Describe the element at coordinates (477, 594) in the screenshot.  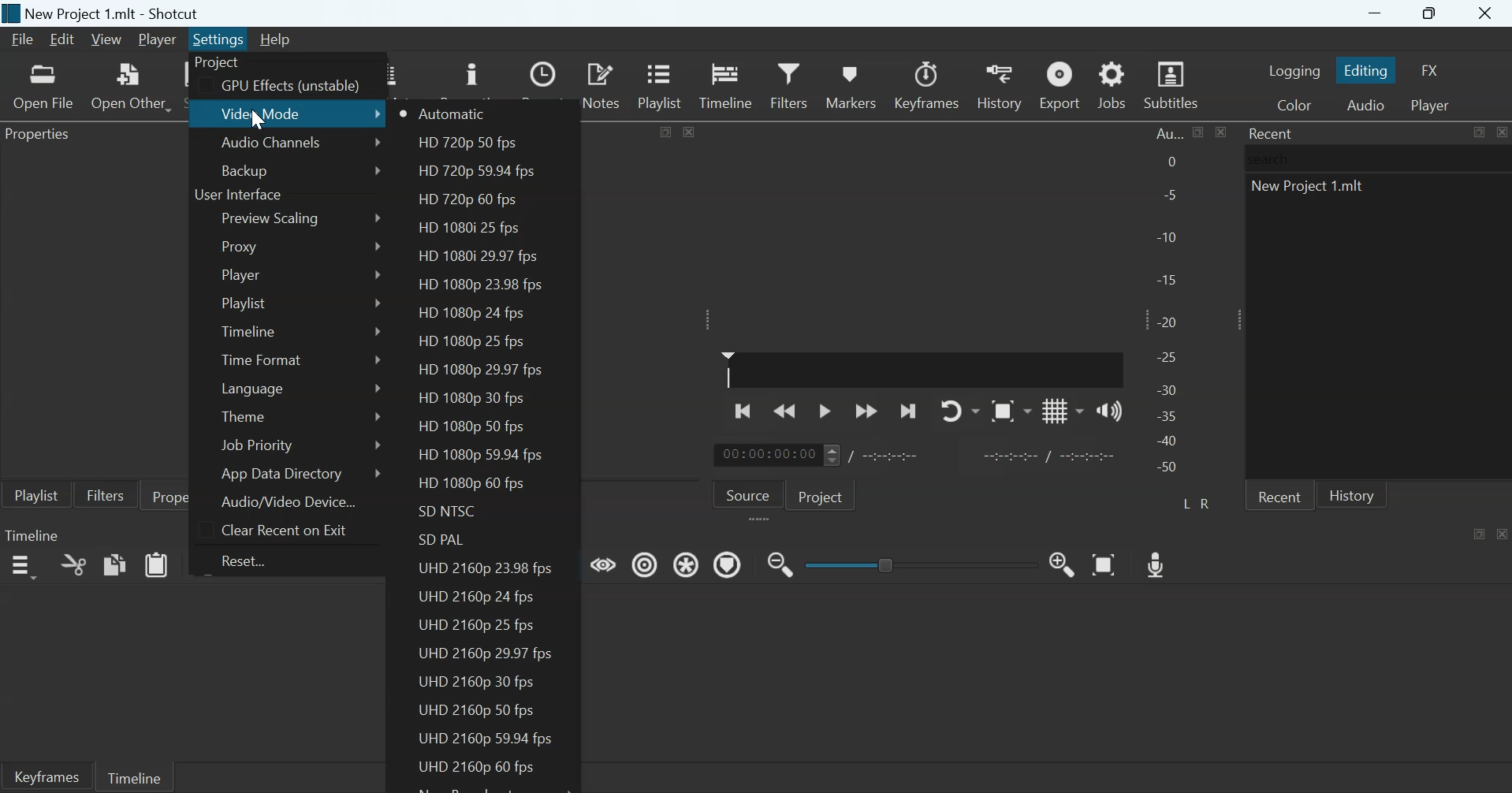
I see `UHD 2160p 24fps` at that location.